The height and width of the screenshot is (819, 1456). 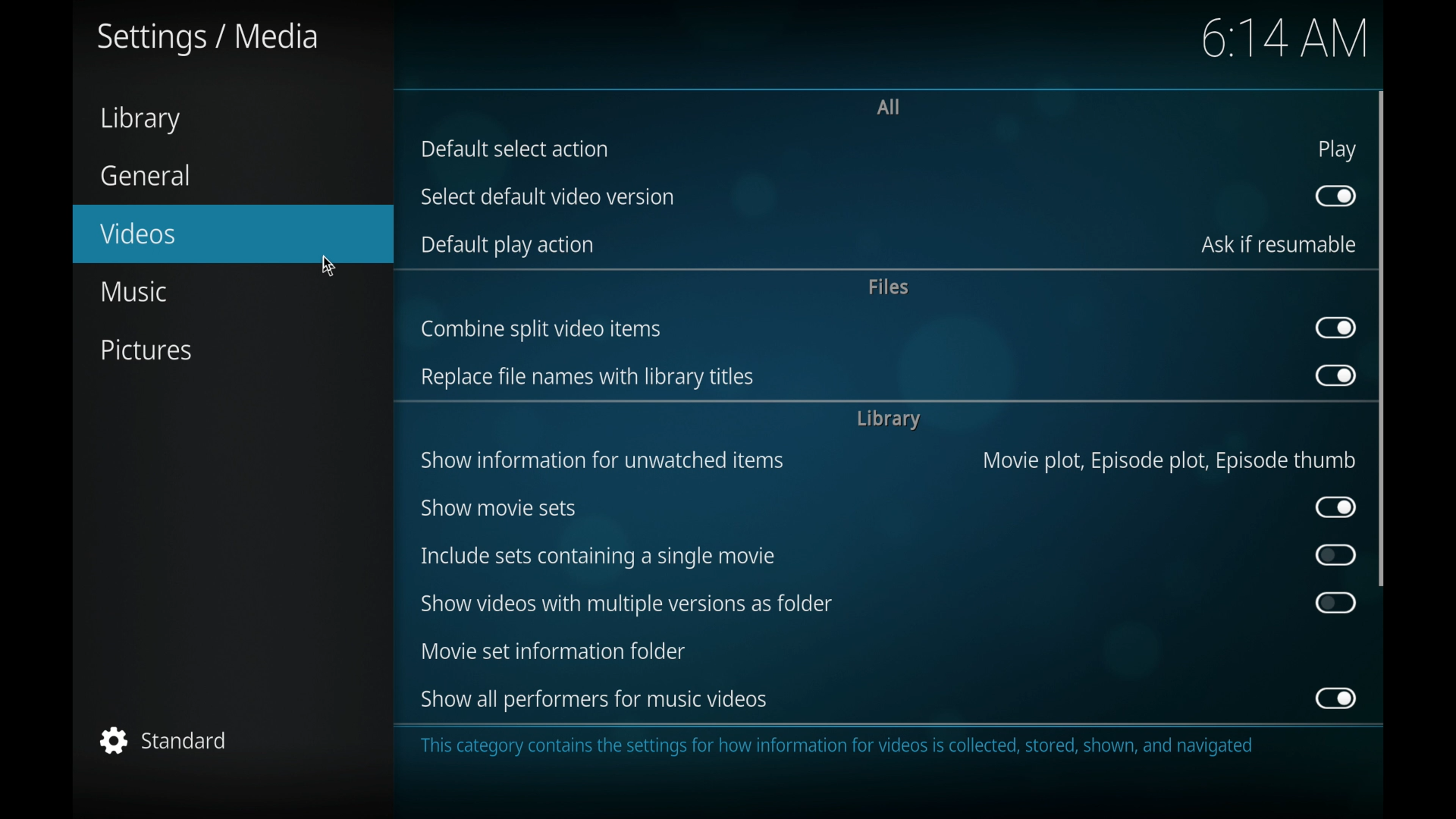 What do you see at coordinates (889, 286) in the screenshot?
I see `files` at bounding box center [889, 286].